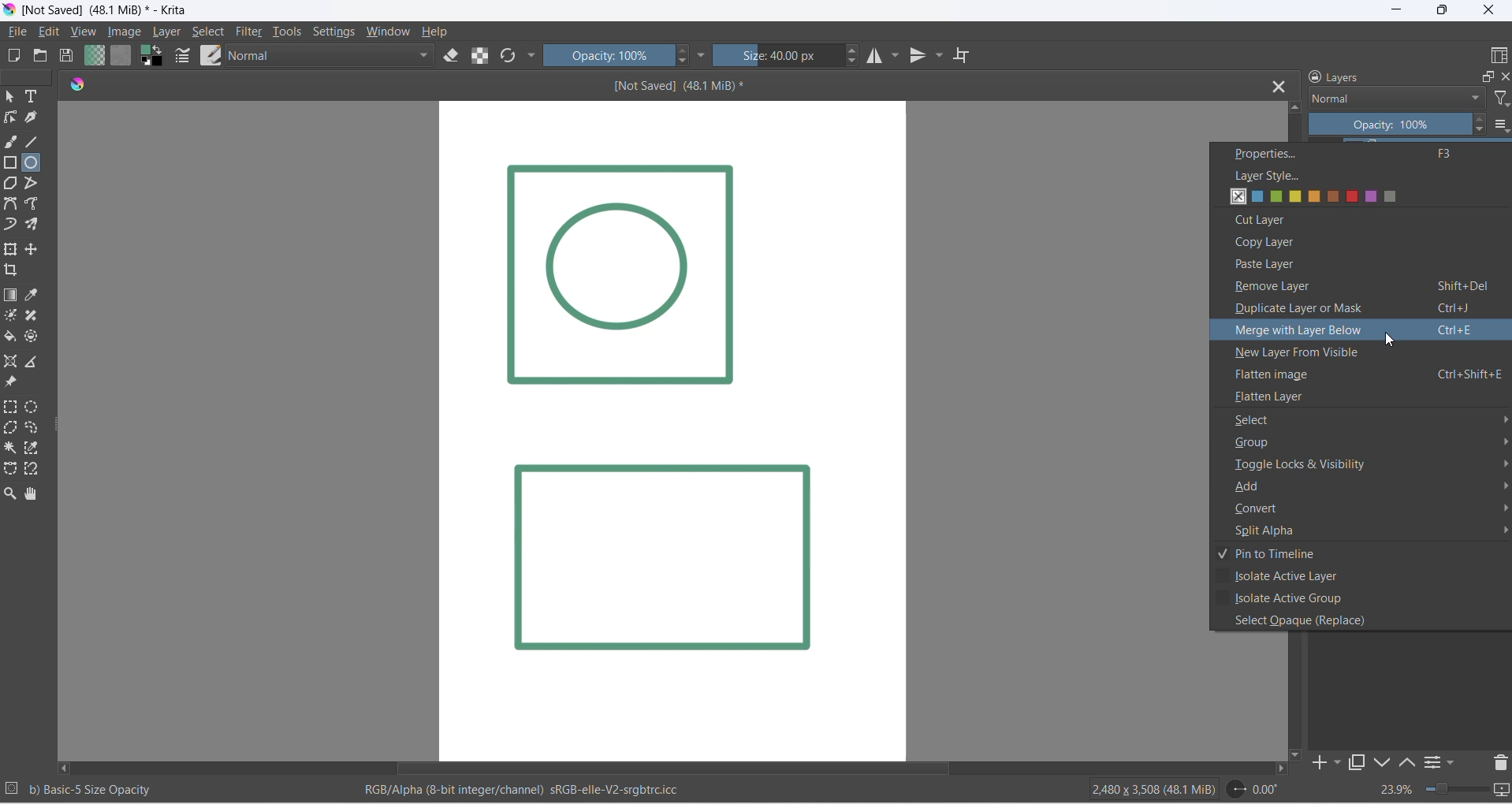  I want to click on 0.00, so click(1252, 791).